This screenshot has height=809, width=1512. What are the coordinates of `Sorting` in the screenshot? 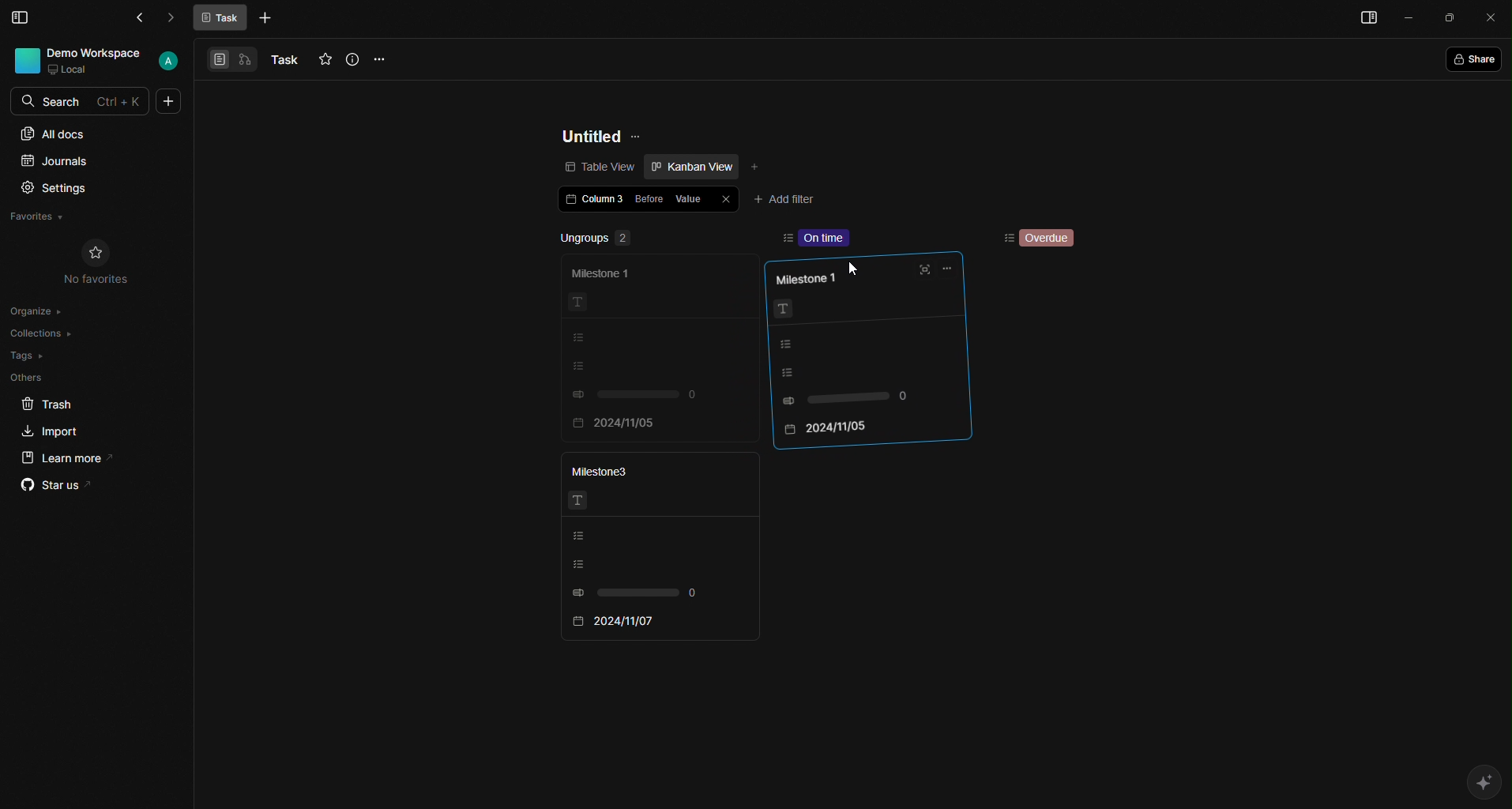 It's located at (1006, 238).